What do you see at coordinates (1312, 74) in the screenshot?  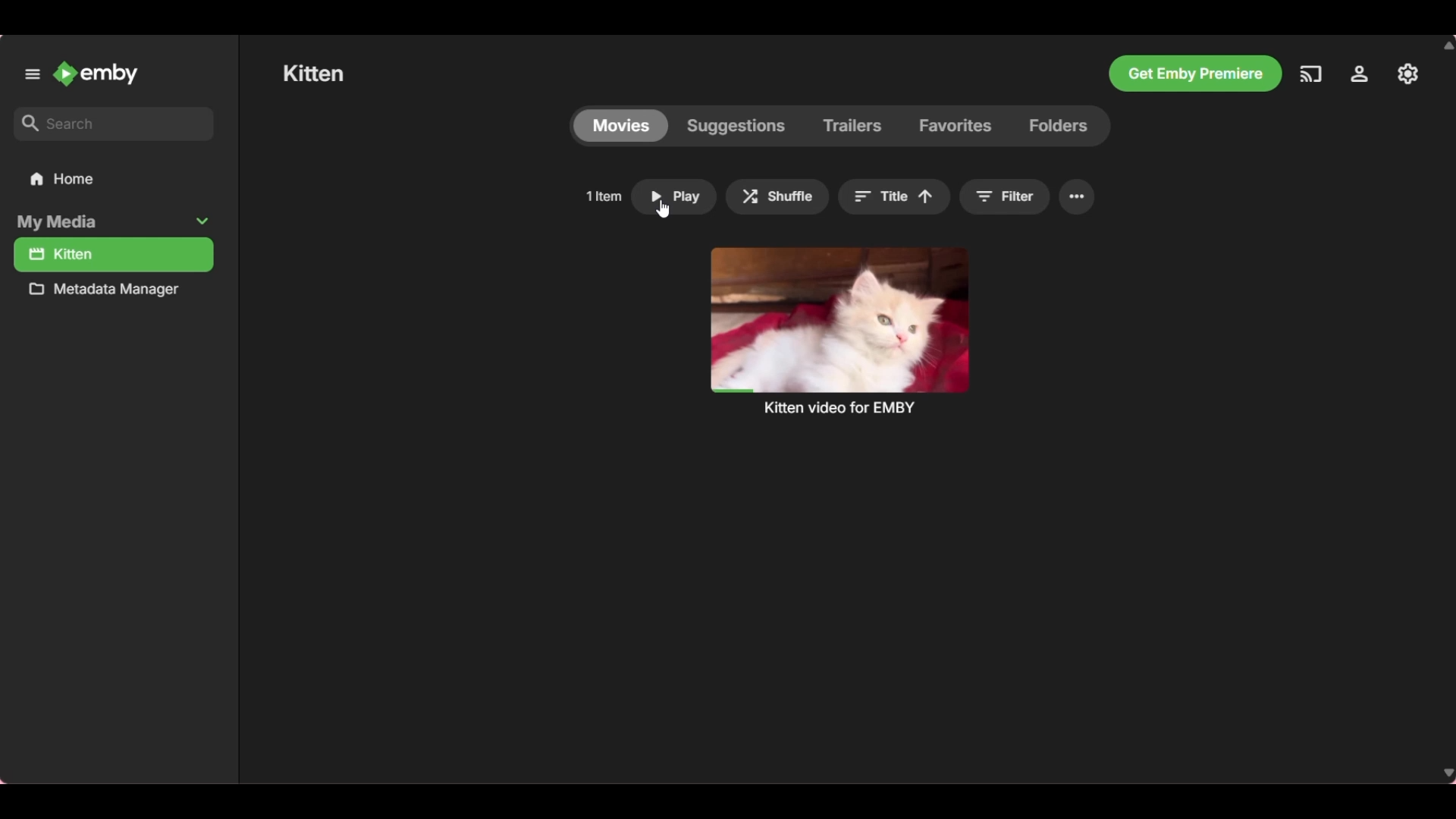 I see `Play on another device` at bounding box center [1312, 74].